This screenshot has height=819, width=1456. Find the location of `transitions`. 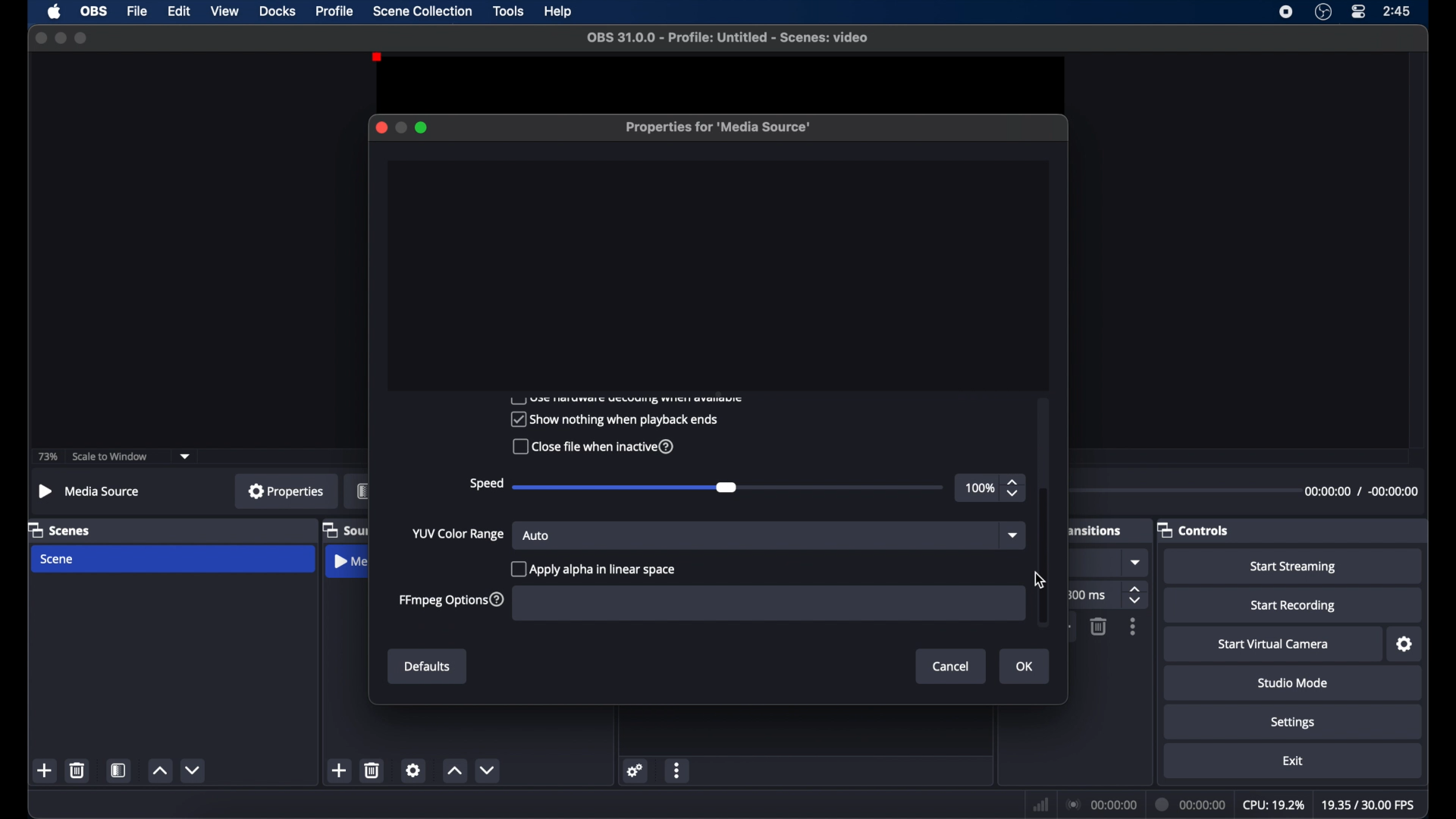

transitions is located at coordinates (1094, 531).